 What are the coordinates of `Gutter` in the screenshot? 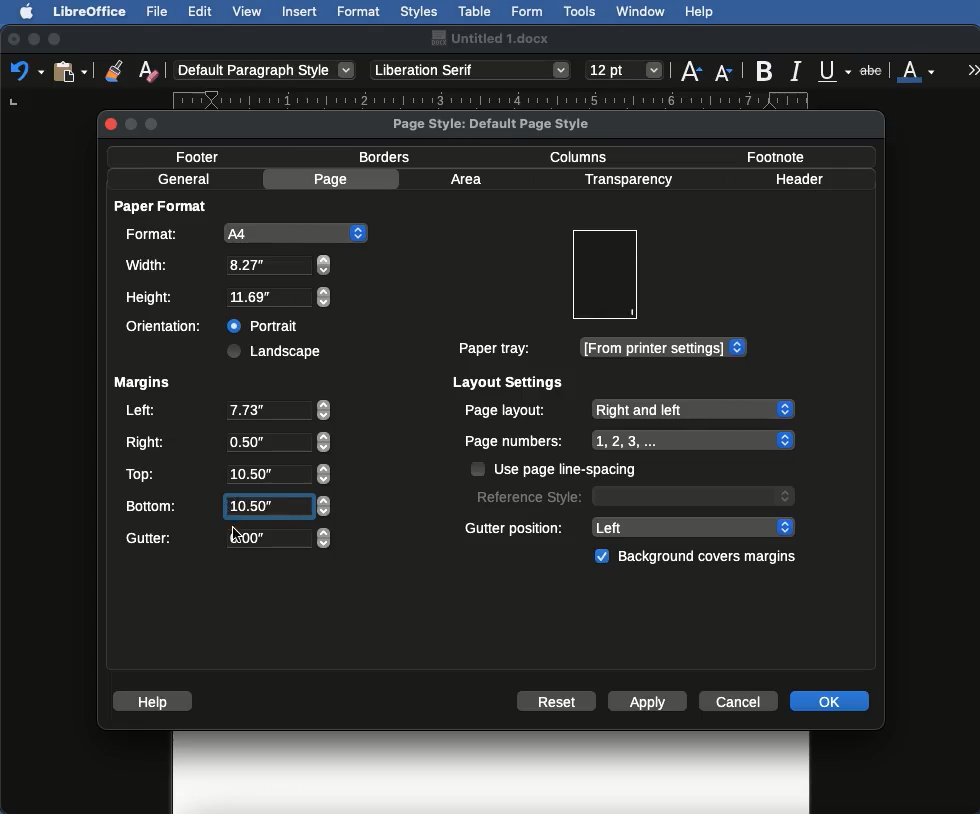 It's located at (228, 539).